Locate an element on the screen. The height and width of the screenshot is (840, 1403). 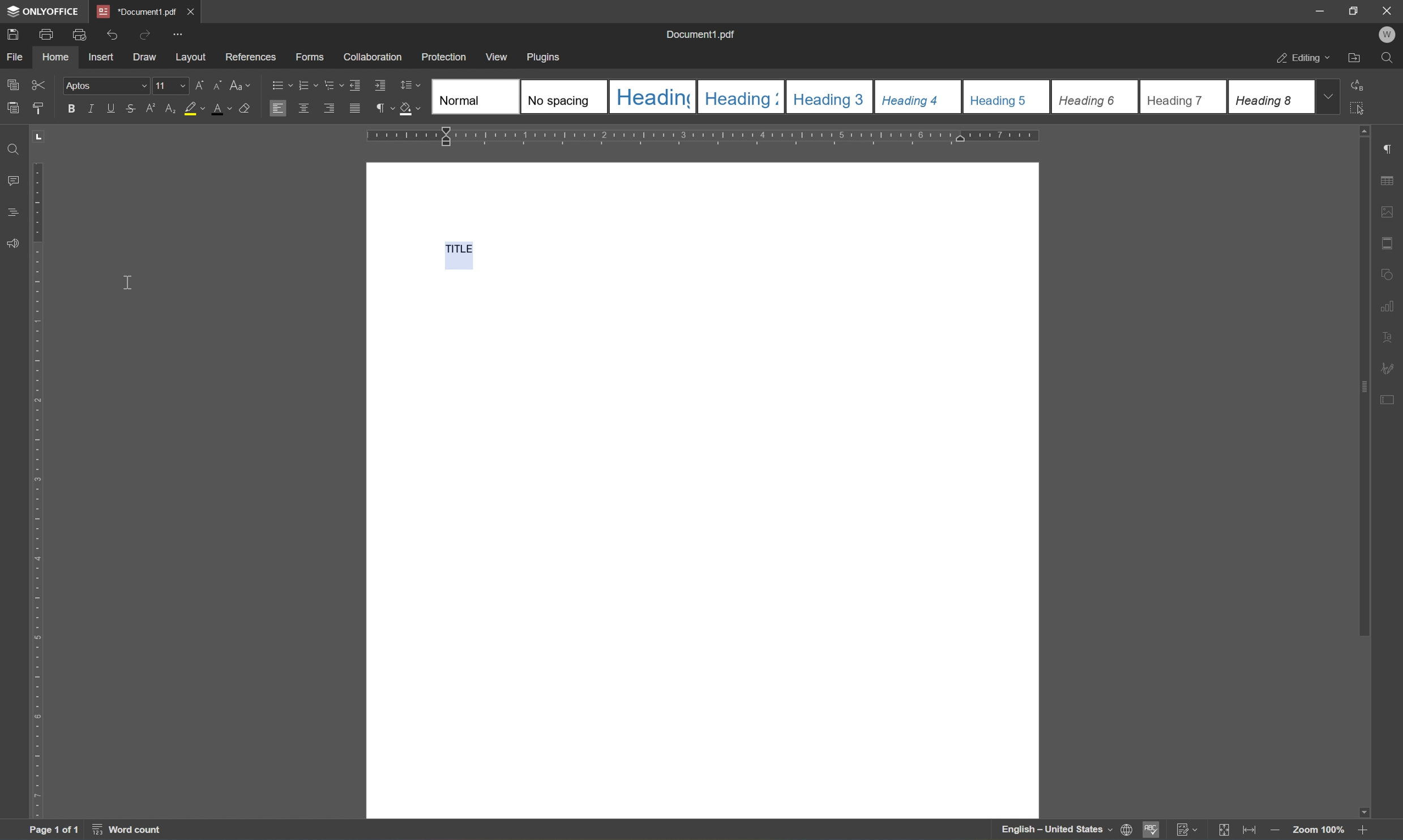
bold is located at coordinates (72, 108).